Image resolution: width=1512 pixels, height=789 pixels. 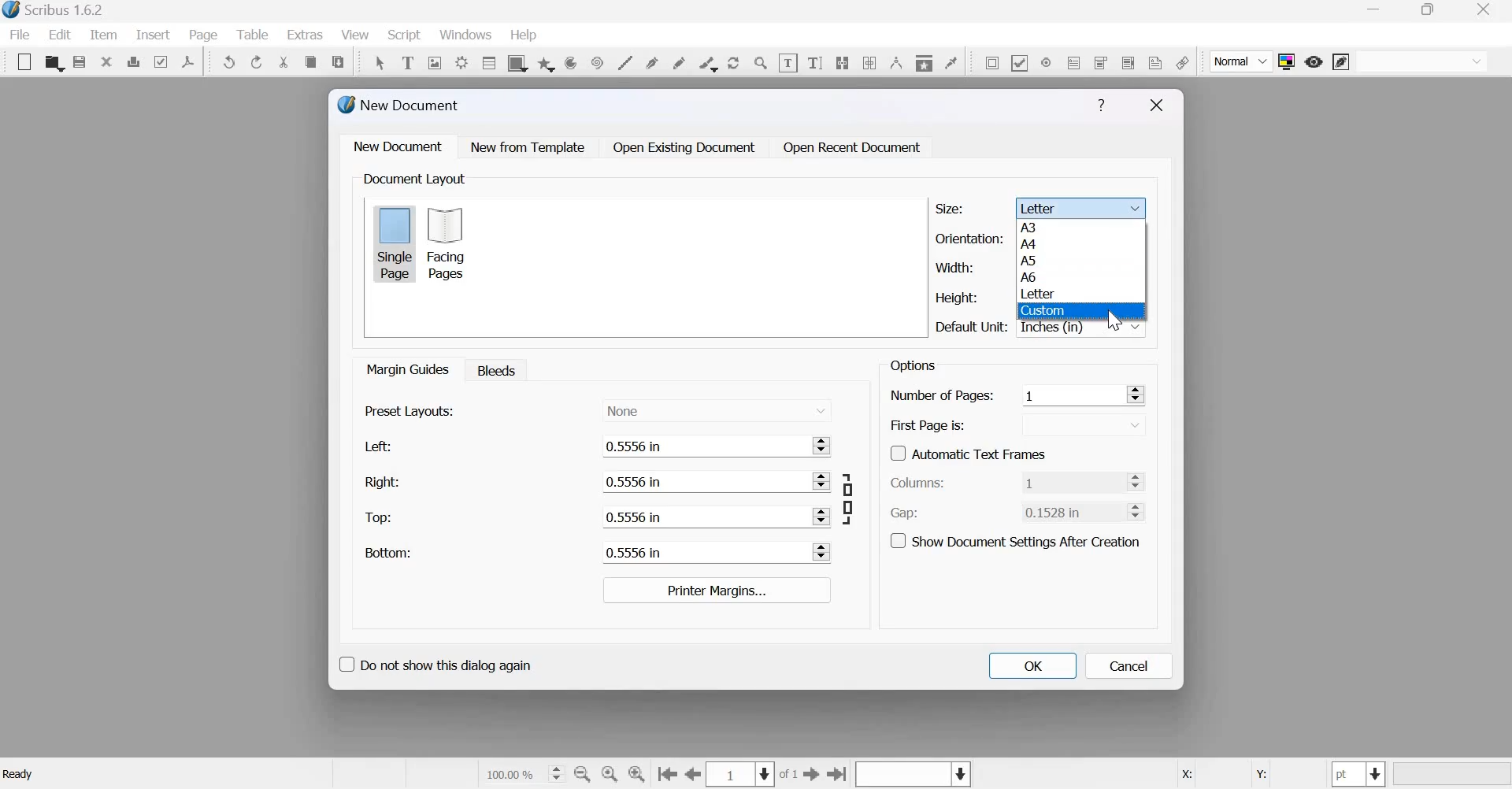 I want to click on PDF push button, so click(x=989, y=62).